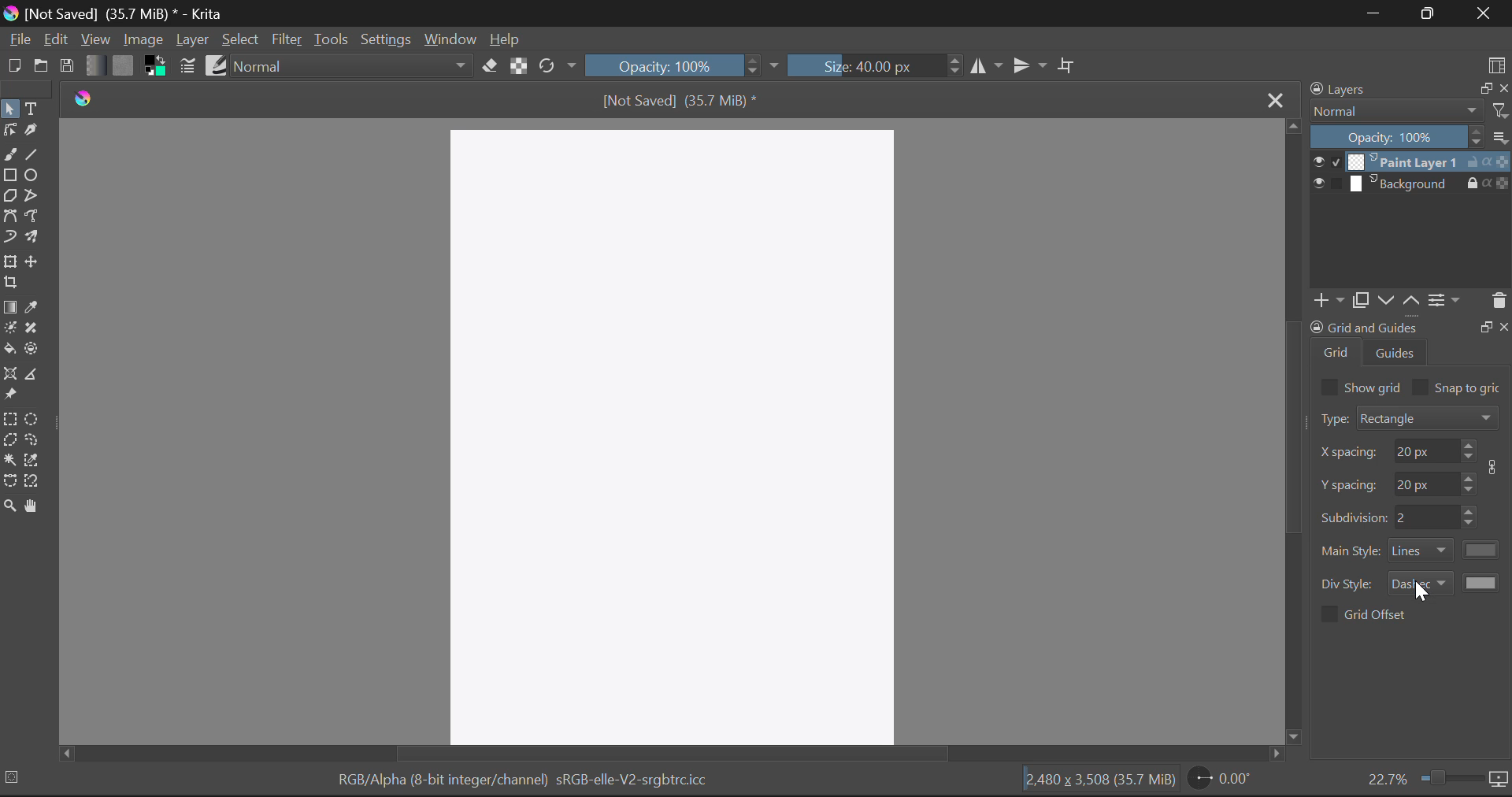  What do you see at coordinates (1337, 352) in the screenshot?
I see `grid` at bounding box center [1337, 352].